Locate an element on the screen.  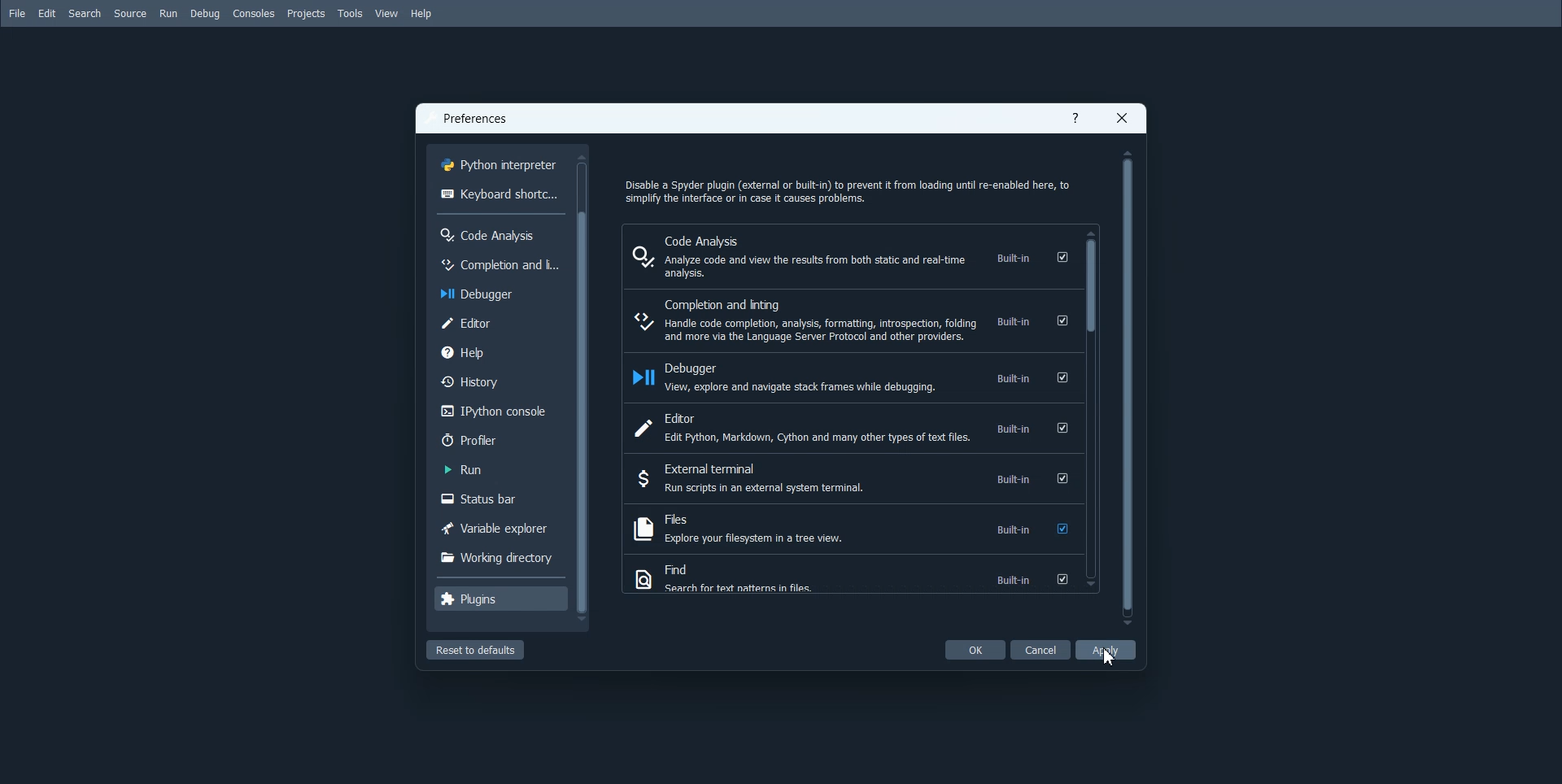
Completion and linting is located at coordinates (850, 320).